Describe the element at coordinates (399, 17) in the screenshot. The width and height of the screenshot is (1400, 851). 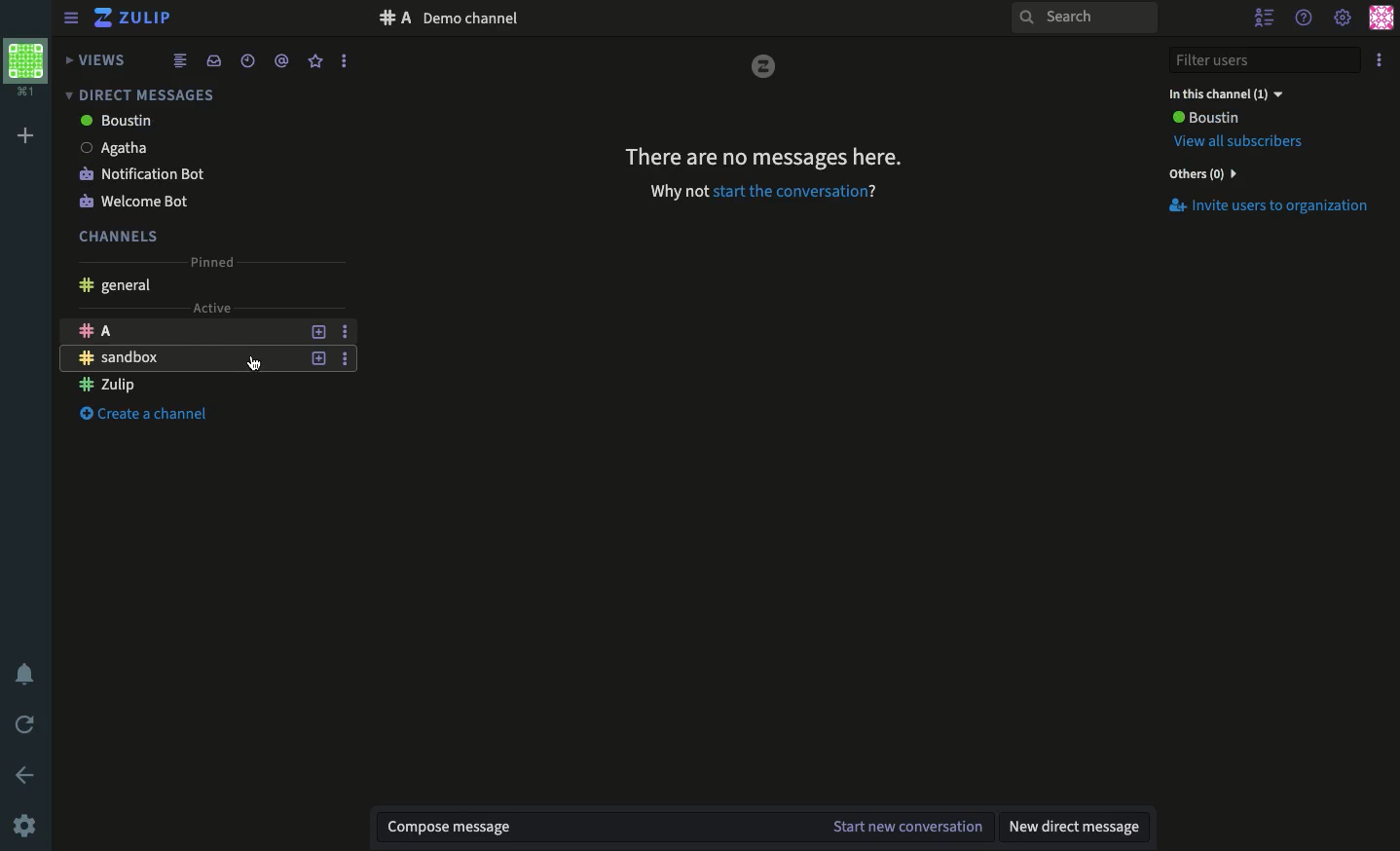
I see `A` at that location.